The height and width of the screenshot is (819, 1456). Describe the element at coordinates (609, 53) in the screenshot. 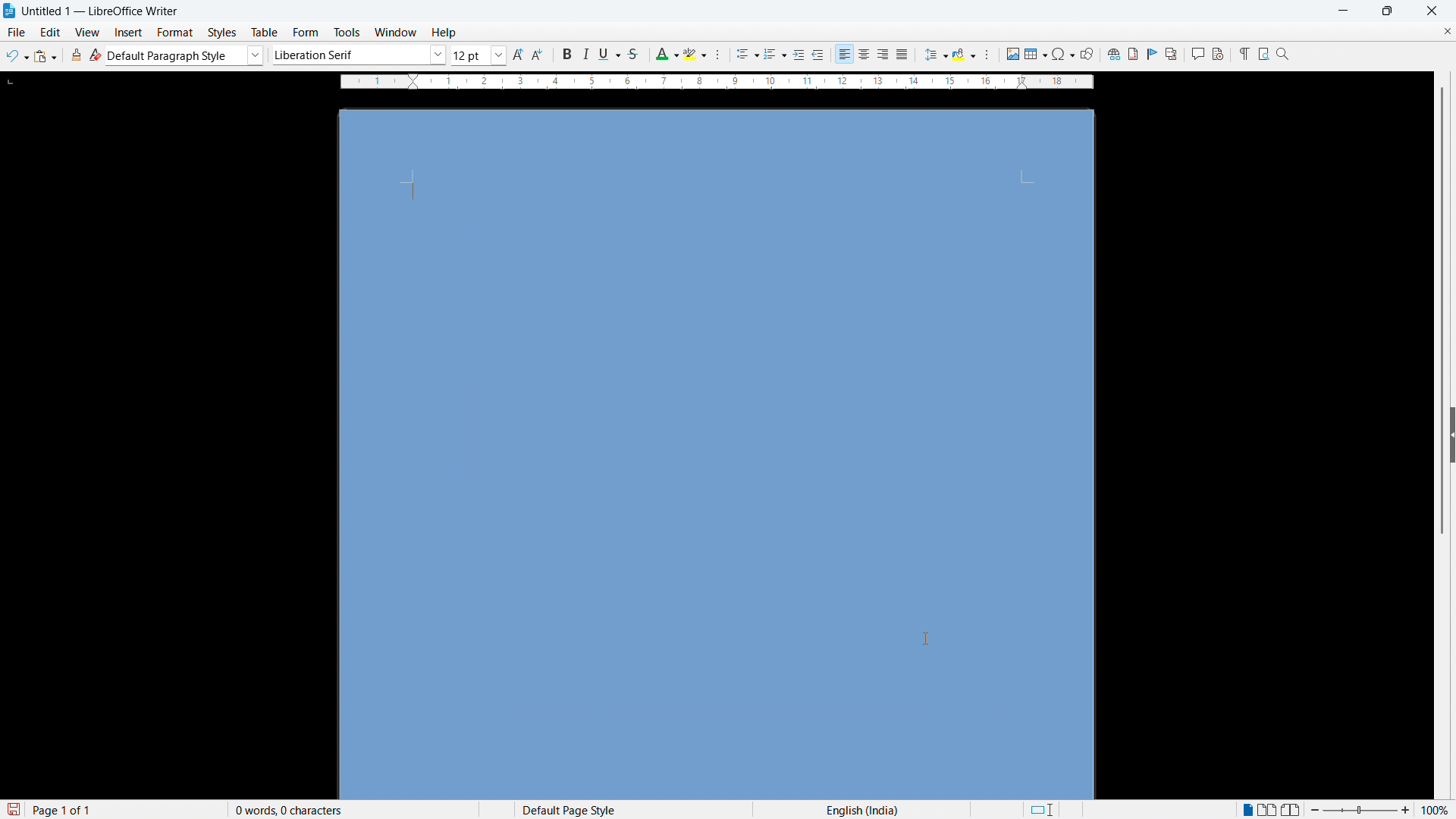

I see `Underline ` at that location.